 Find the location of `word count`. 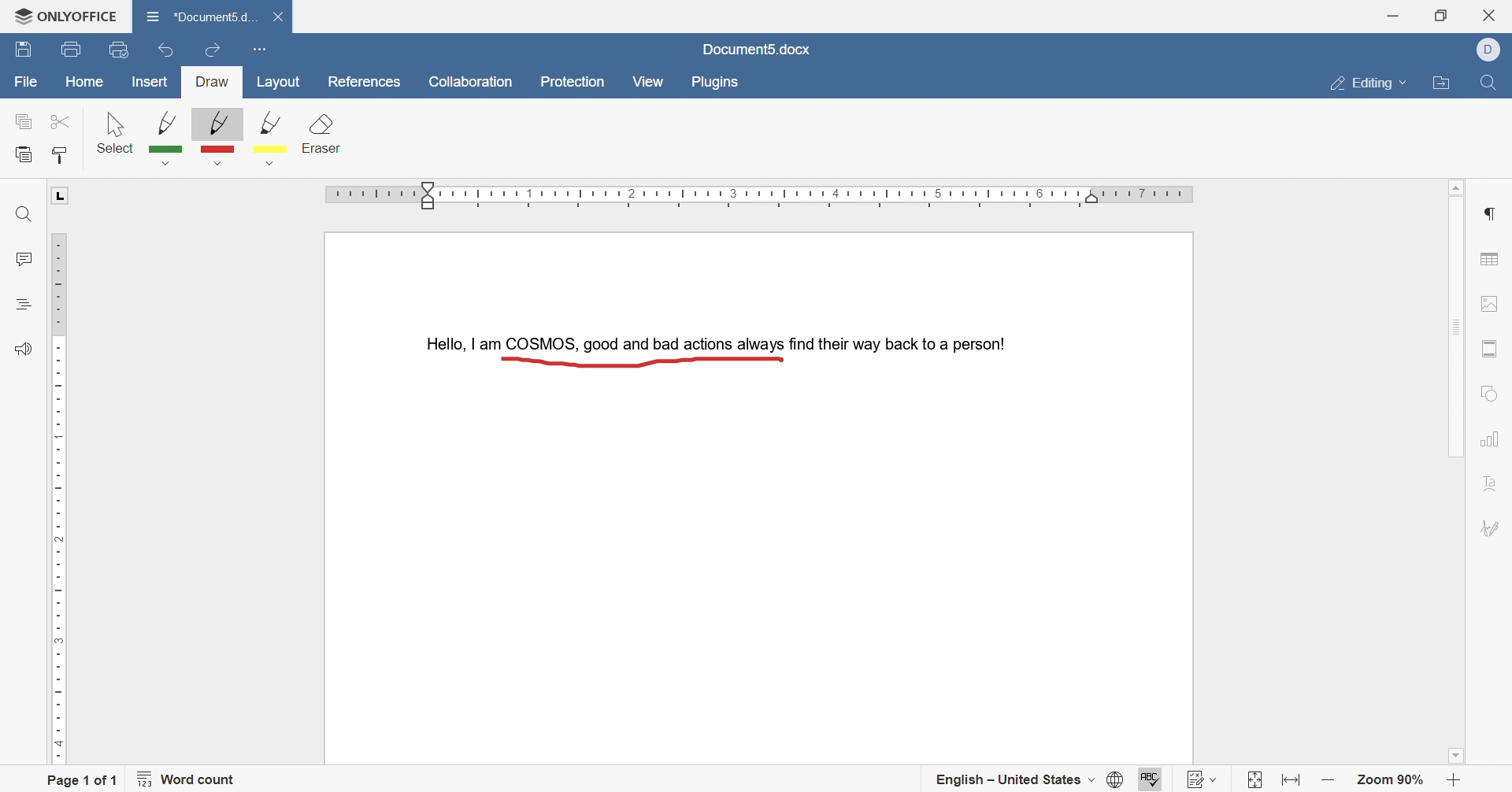

word count is located at coordinates (192, 782).